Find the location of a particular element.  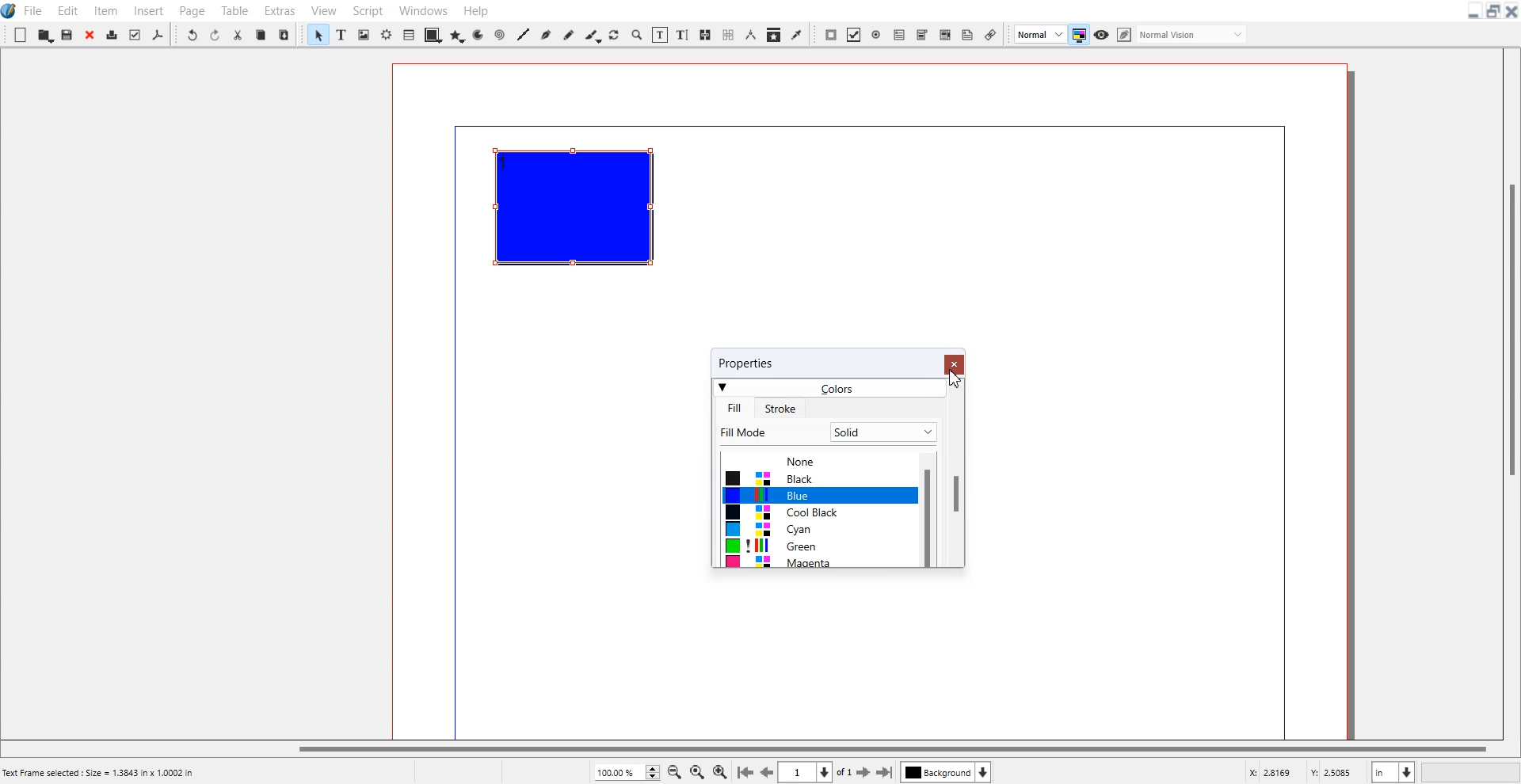

Maximize is located at coordinates (1492, 10).